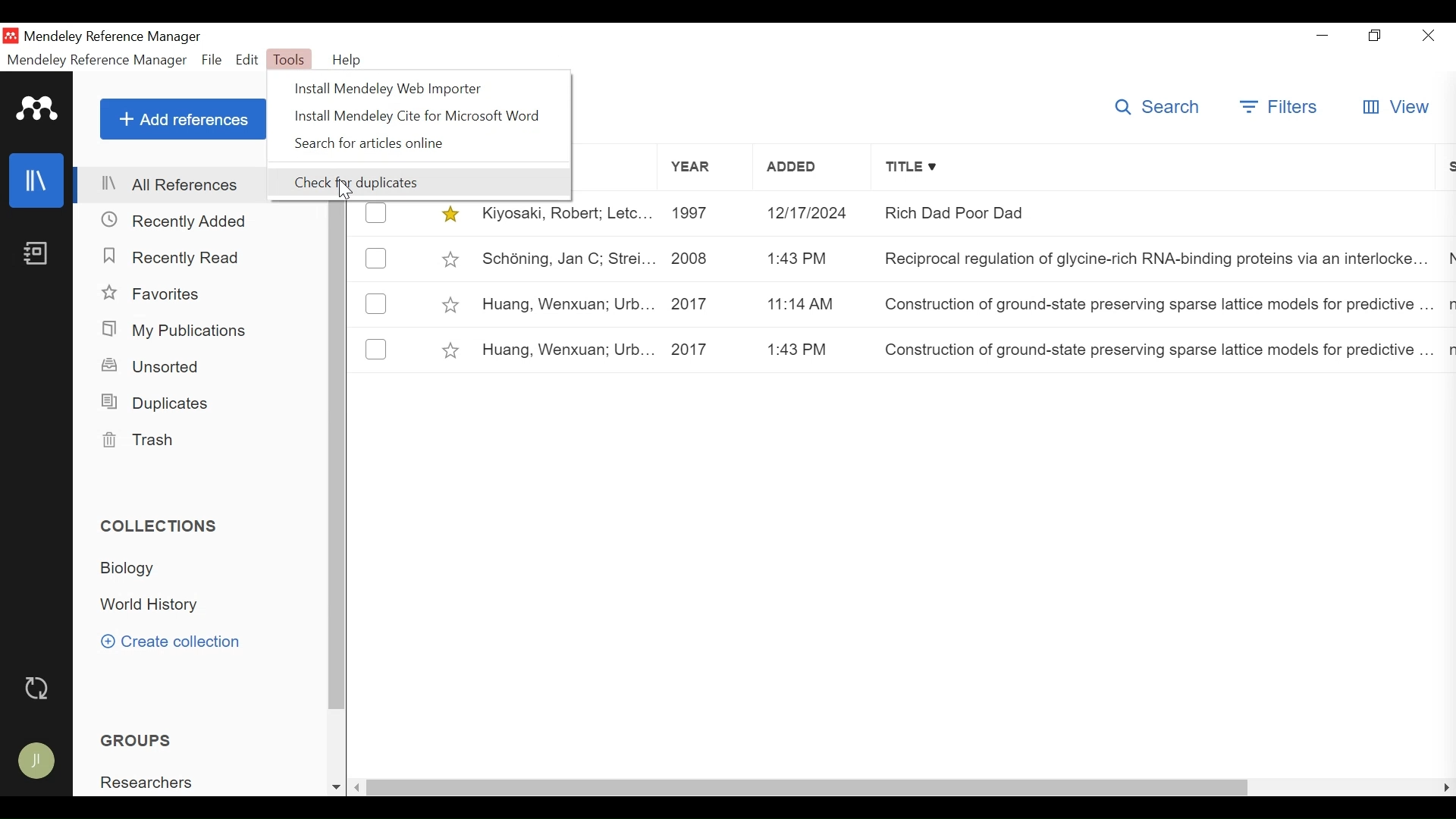 The height and width of the screenshot is (819, 1456). Describe the element at coordinates (139, 740) in the screenshot. I see `Groups` at that location.